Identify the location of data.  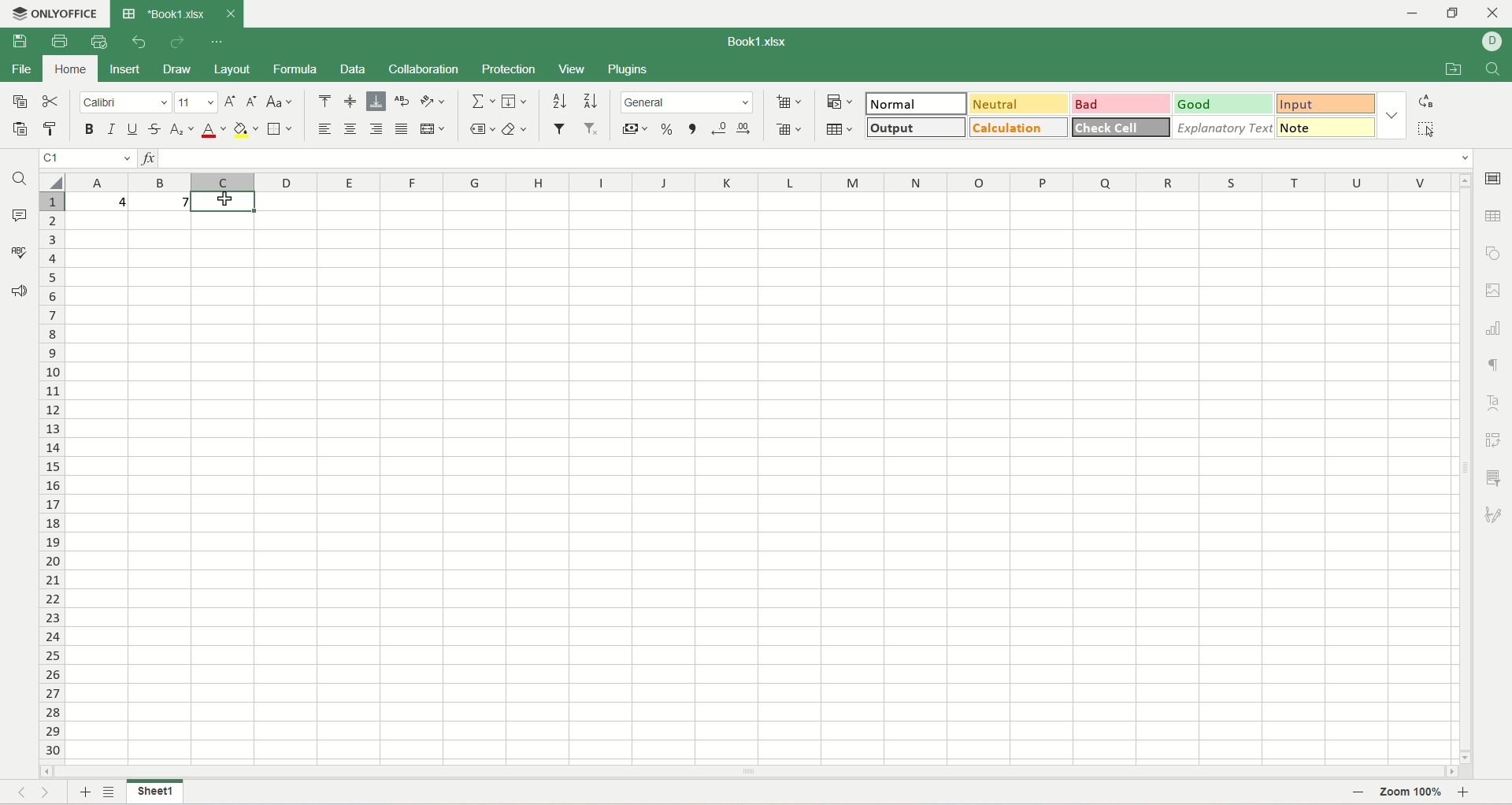
(353, 69).